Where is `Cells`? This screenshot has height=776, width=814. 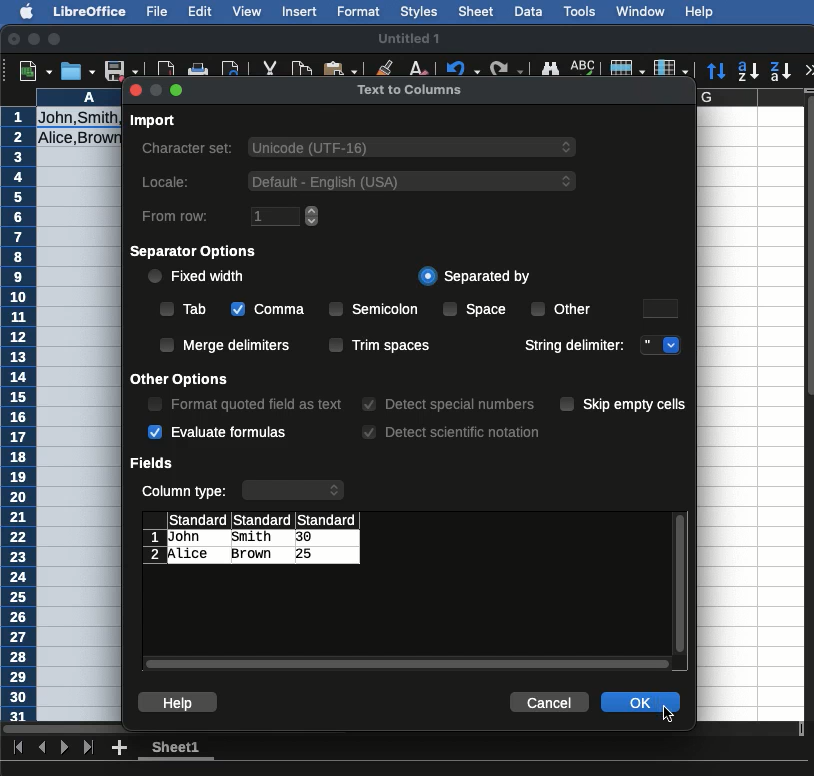 Cells is located at coordinates (251, 540).